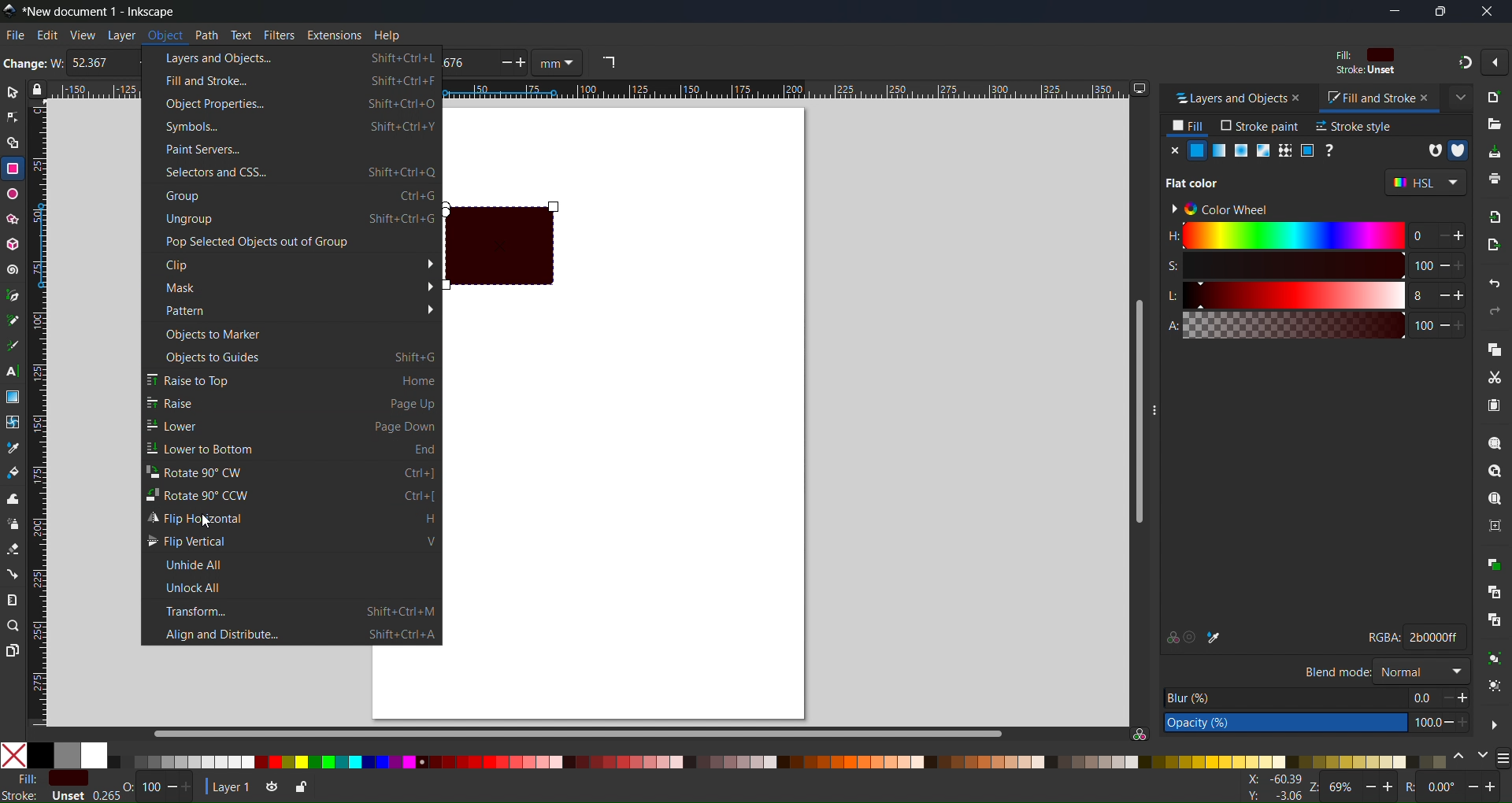  What do you see at coordinates (1495, 216) in the screenshot?
I see `Import` at bounding box center [1495, 216].